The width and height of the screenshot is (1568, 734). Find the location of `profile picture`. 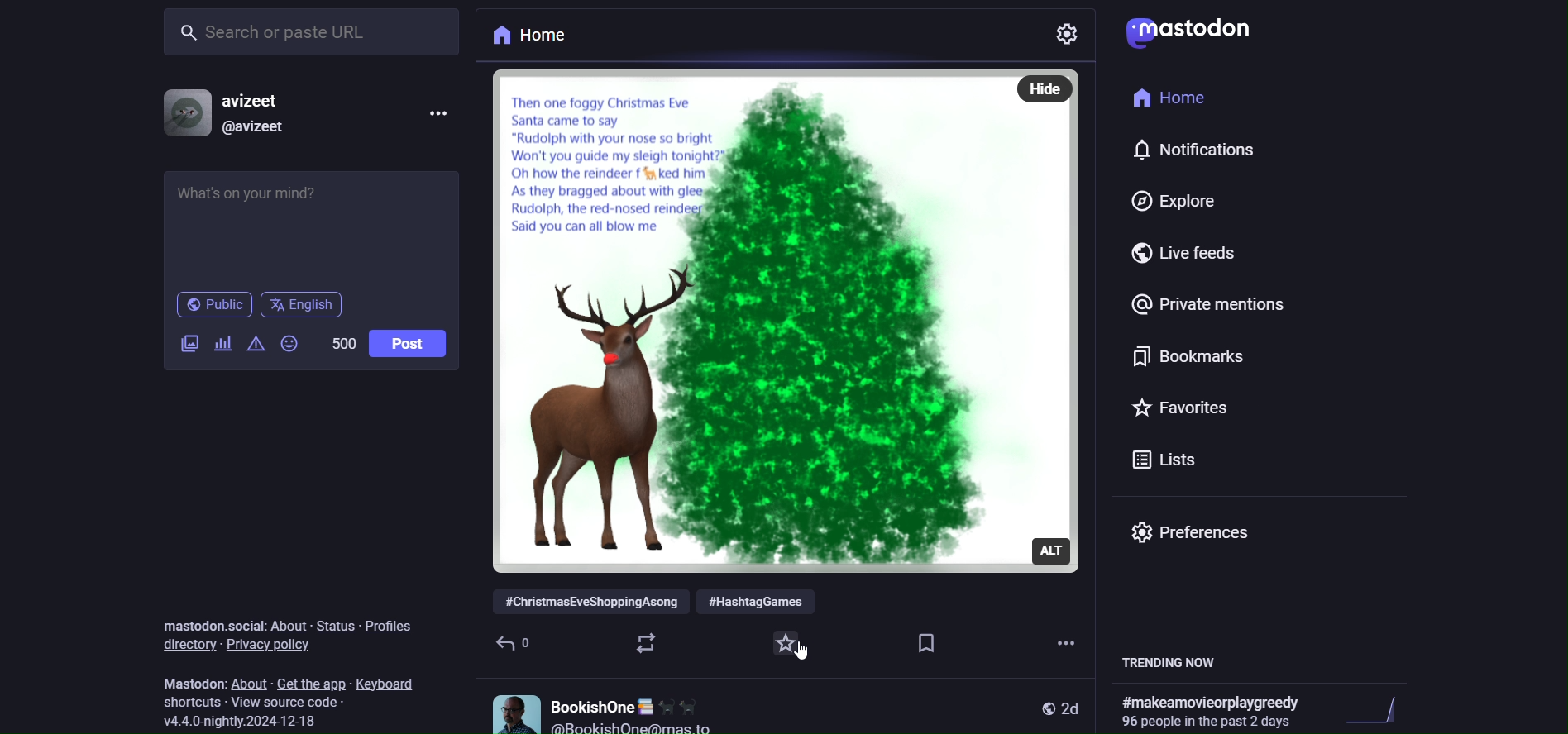

profile picture is located at coordinates (511, 709).